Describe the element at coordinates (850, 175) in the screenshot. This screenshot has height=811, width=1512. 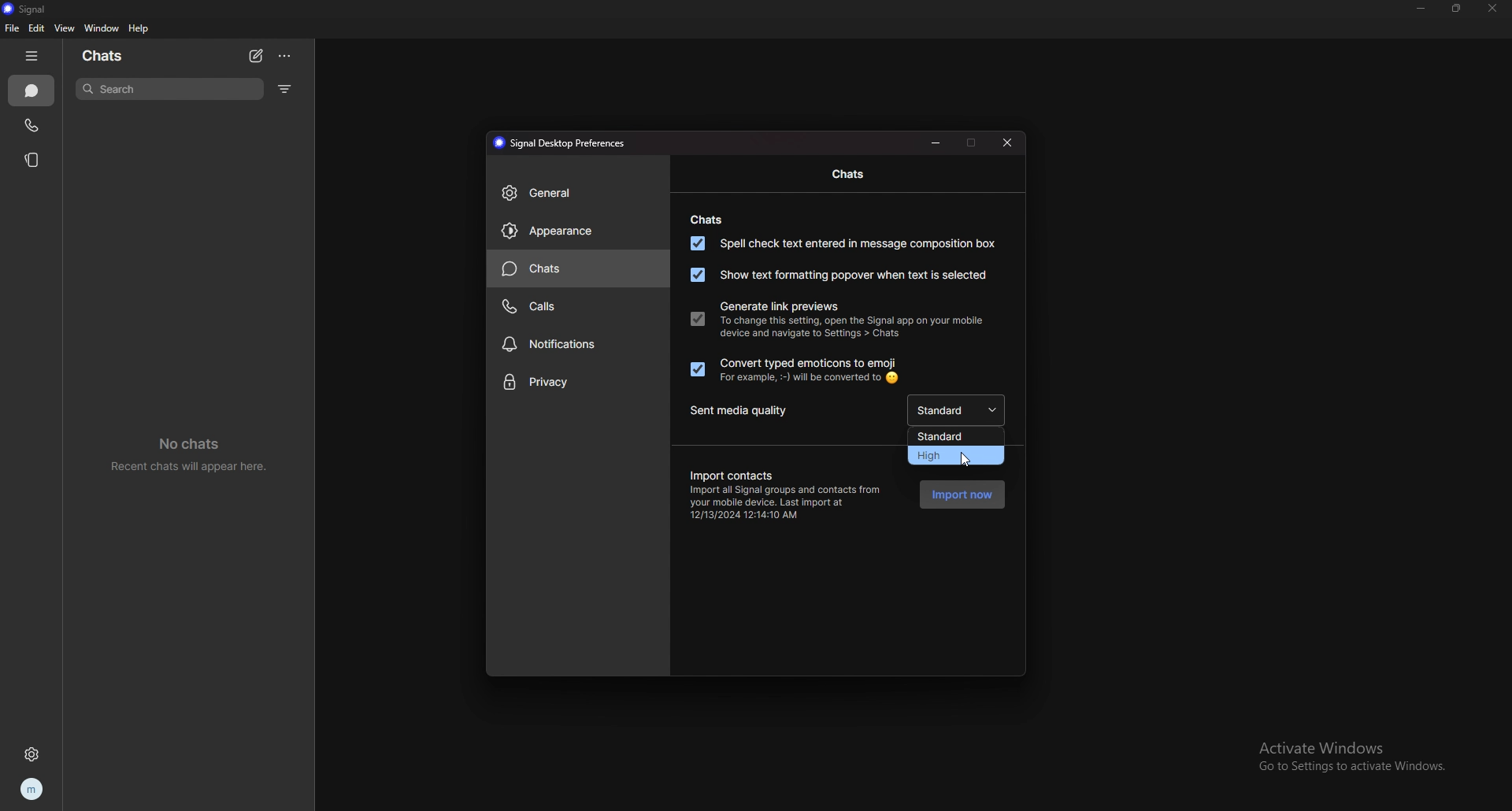
I see `chats` at that location.